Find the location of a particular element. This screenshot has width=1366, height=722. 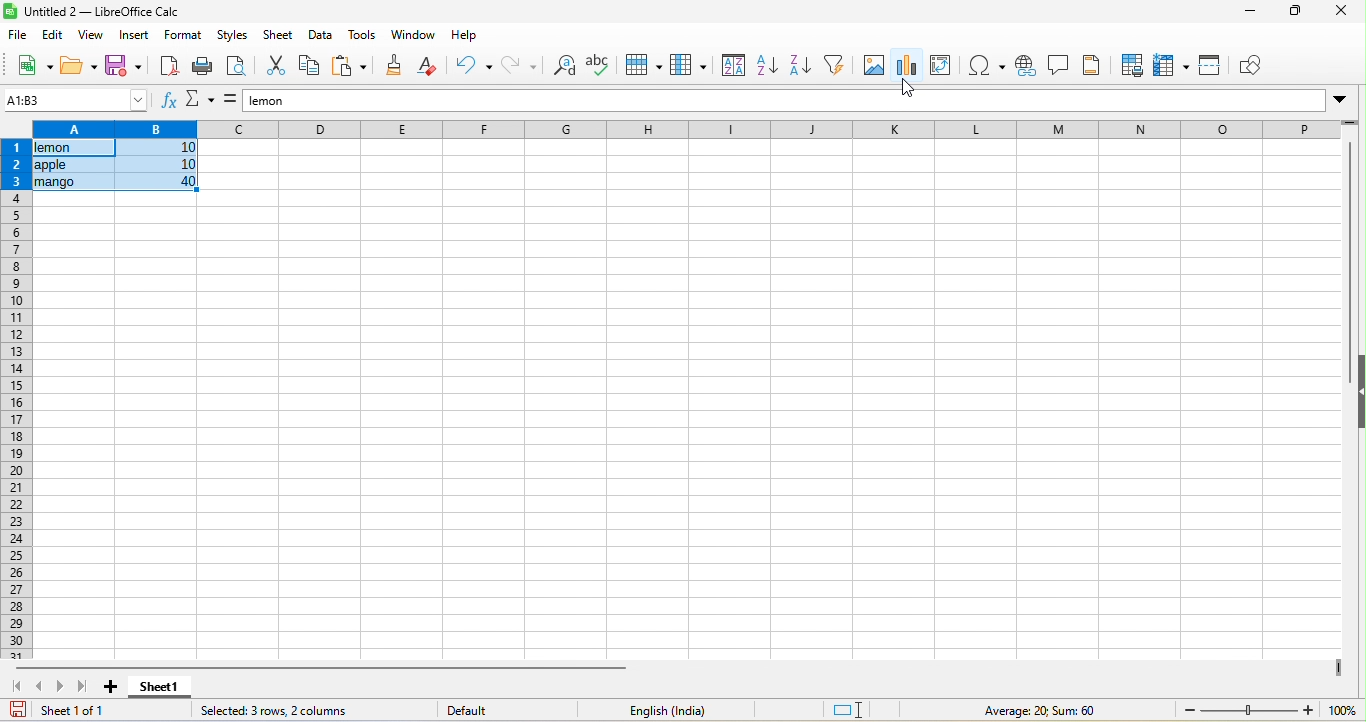

Drop-down  is located at coordinates (1340, 100).